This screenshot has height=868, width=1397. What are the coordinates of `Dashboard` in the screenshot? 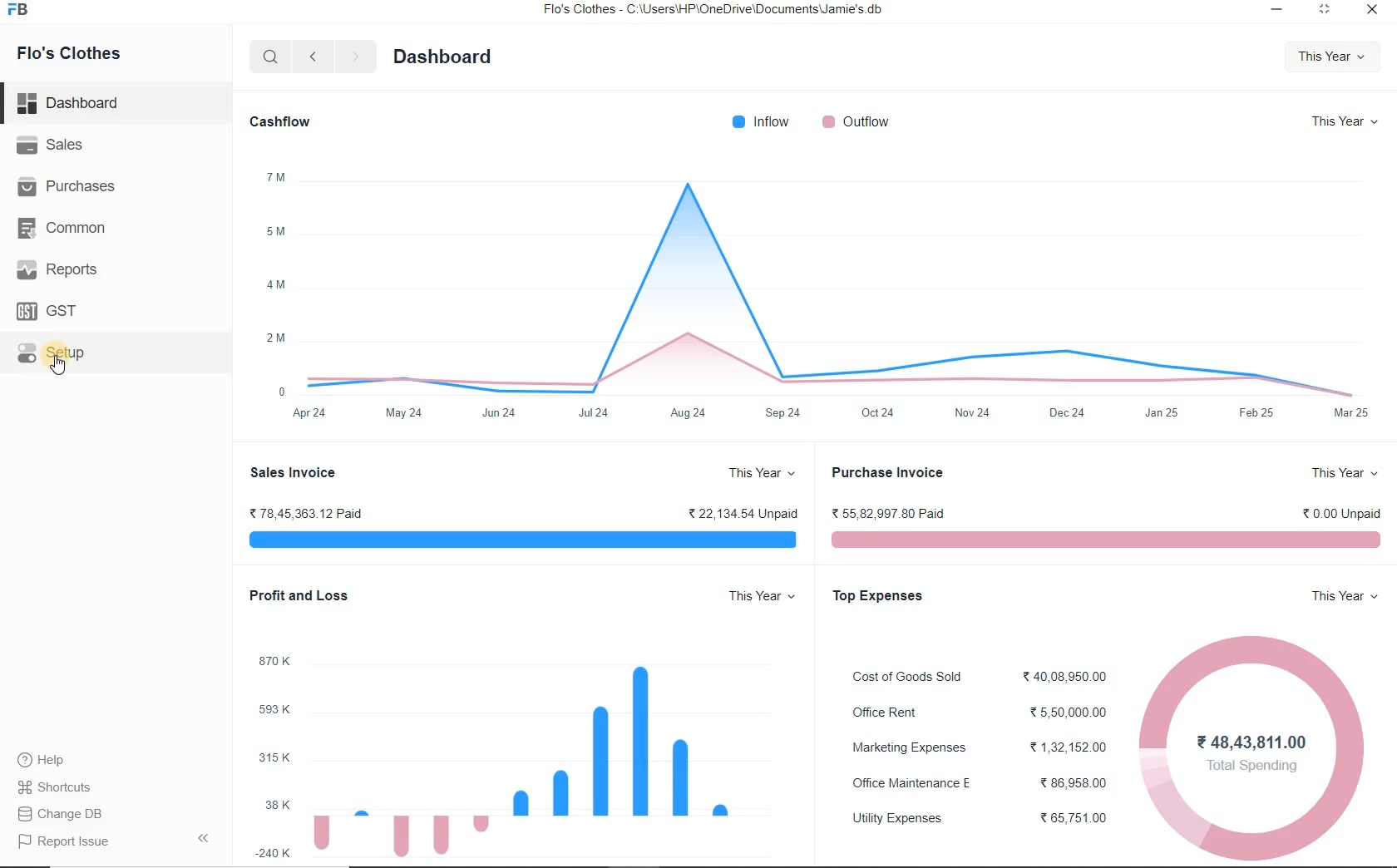 It's located at (69, 103).